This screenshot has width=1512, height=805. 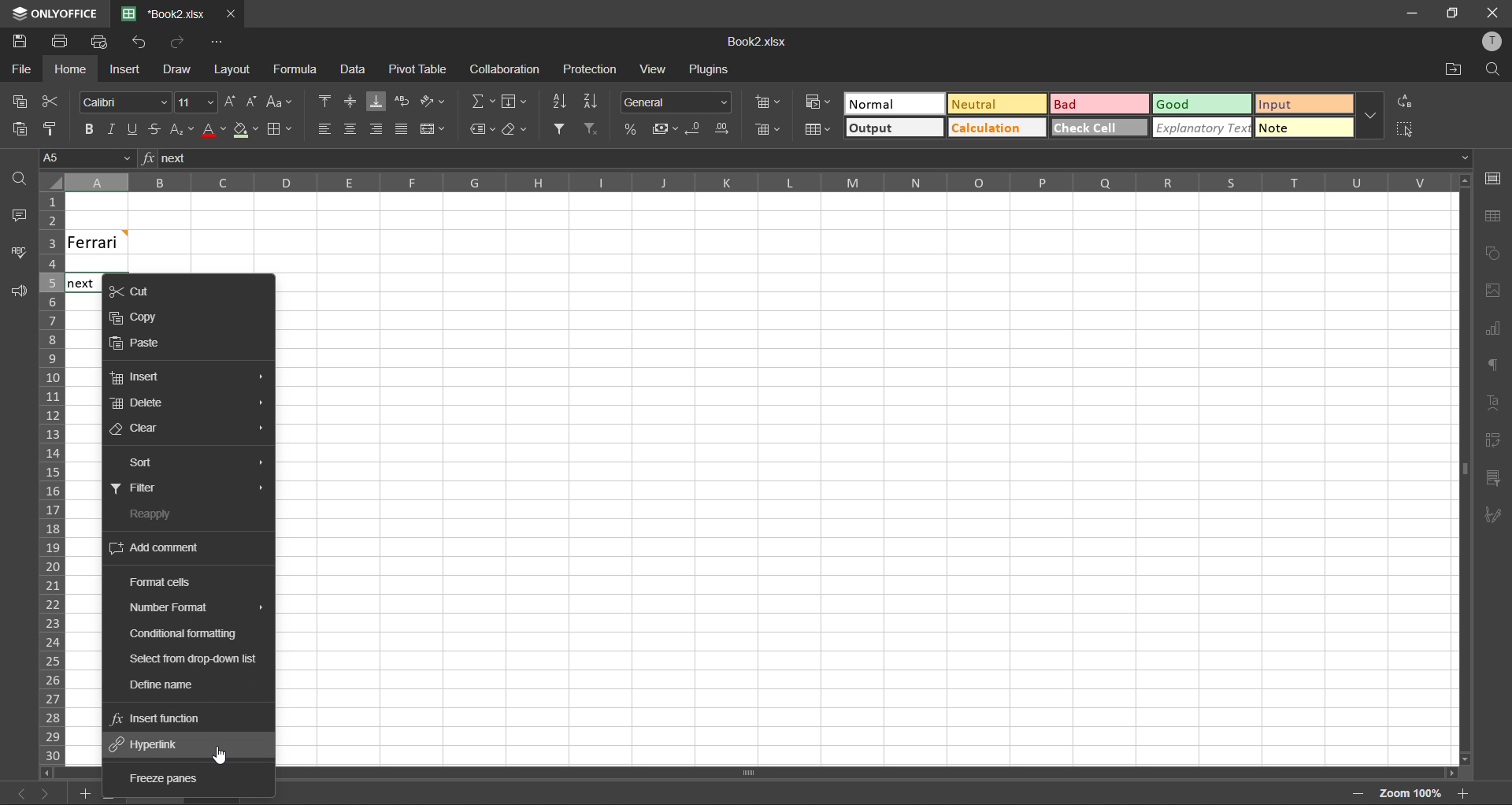 What do you see at coordinates (82, 796) in the screenshot?
I see `add sheet` at bounding box center [82, 796].